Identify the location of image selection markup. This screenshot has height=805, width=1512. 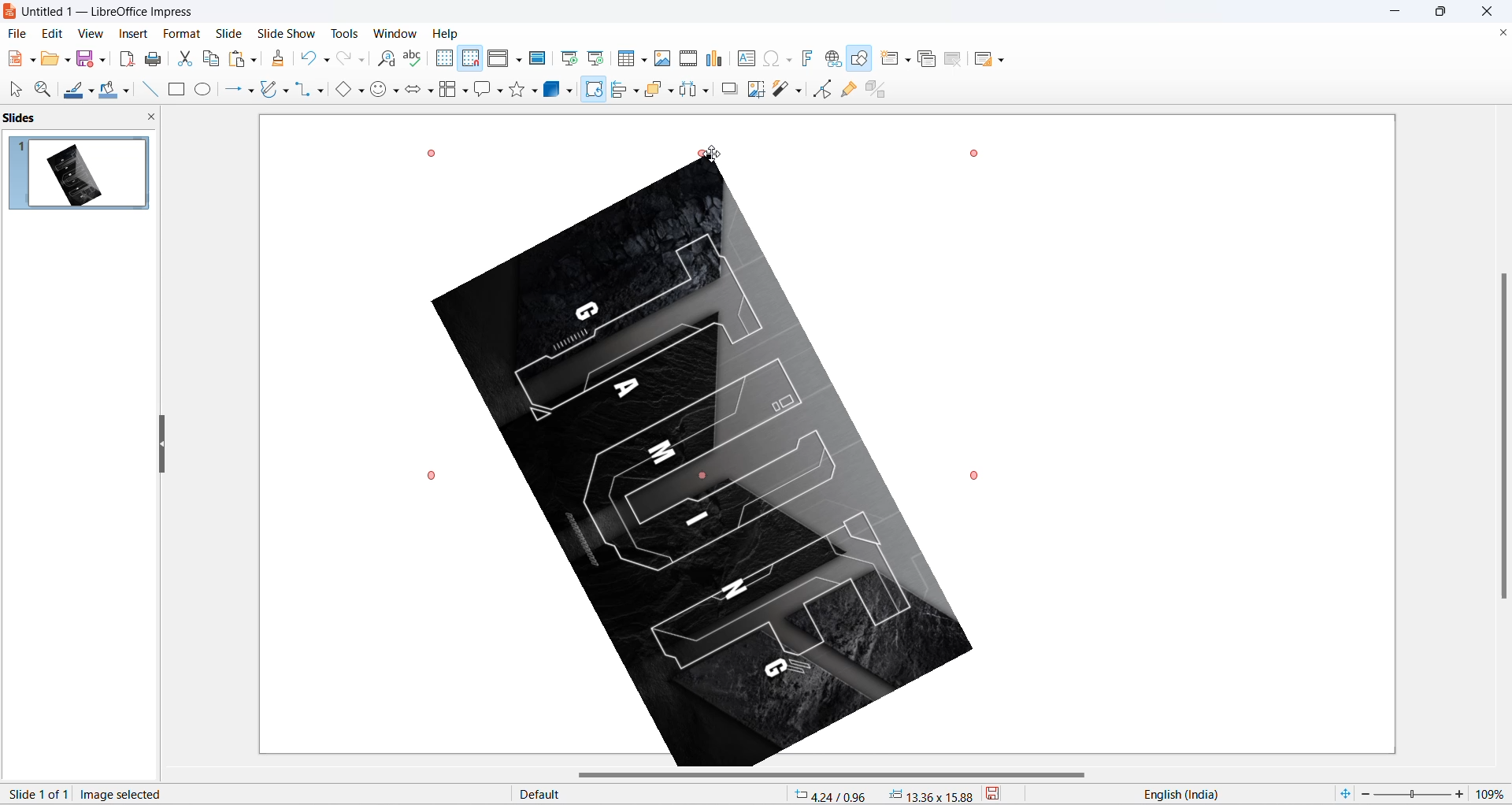
(431, 153).